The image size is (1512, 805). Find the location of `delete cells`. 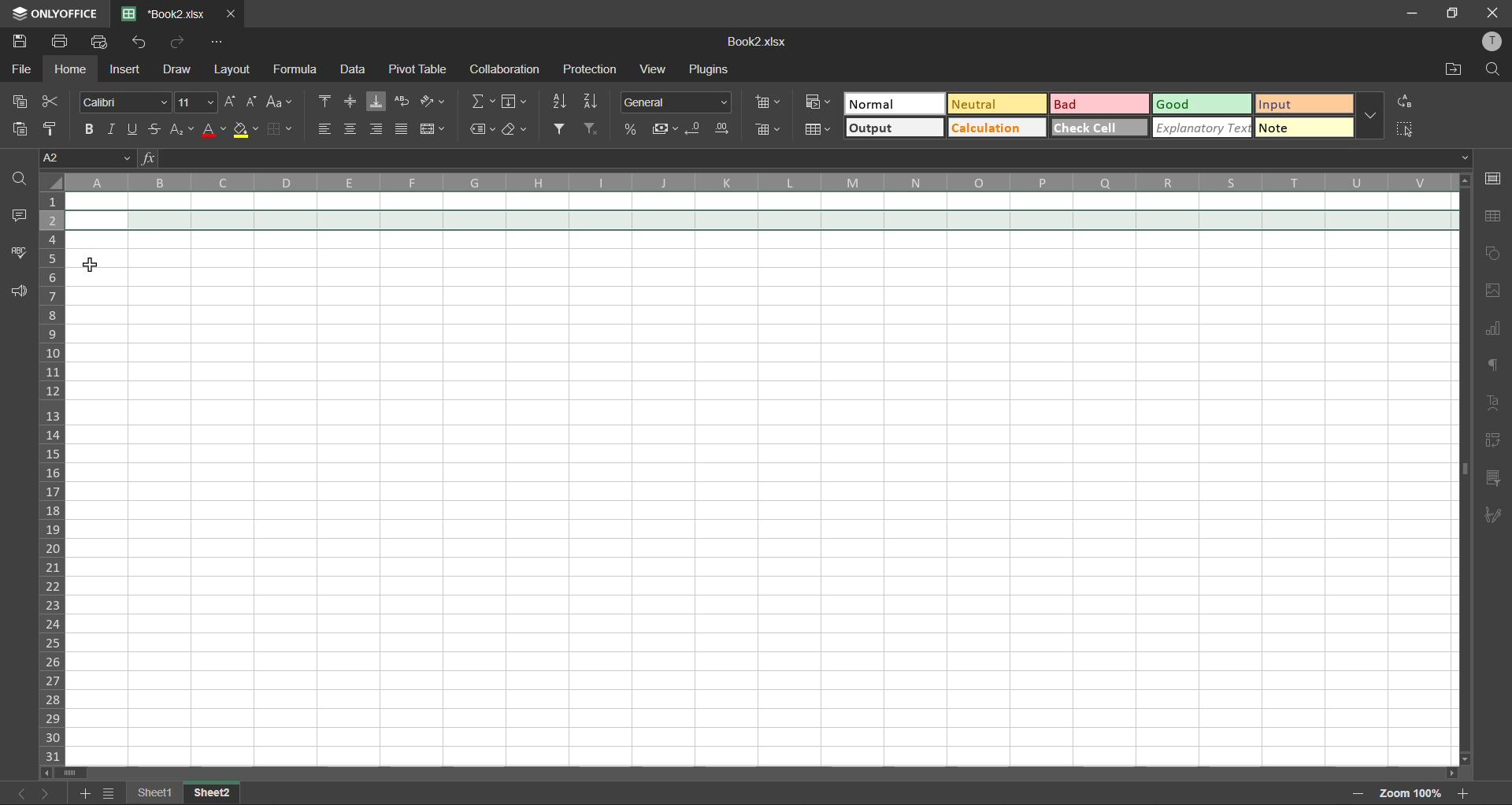

delete cells is located at coordinates (769, 131).